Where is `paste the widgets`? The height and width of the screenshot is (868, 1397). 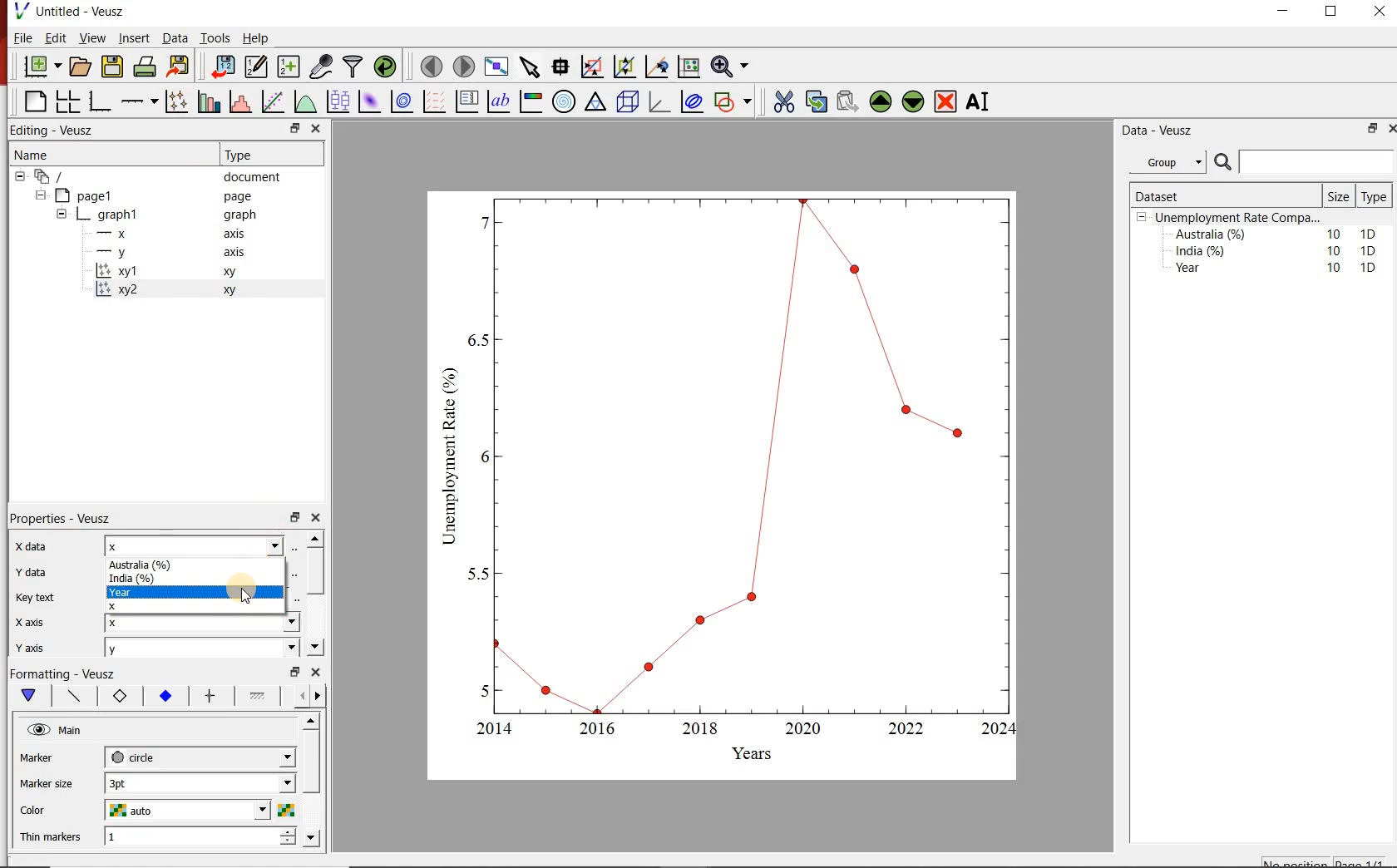 paste the widgets is located at coordinates (848, 101).